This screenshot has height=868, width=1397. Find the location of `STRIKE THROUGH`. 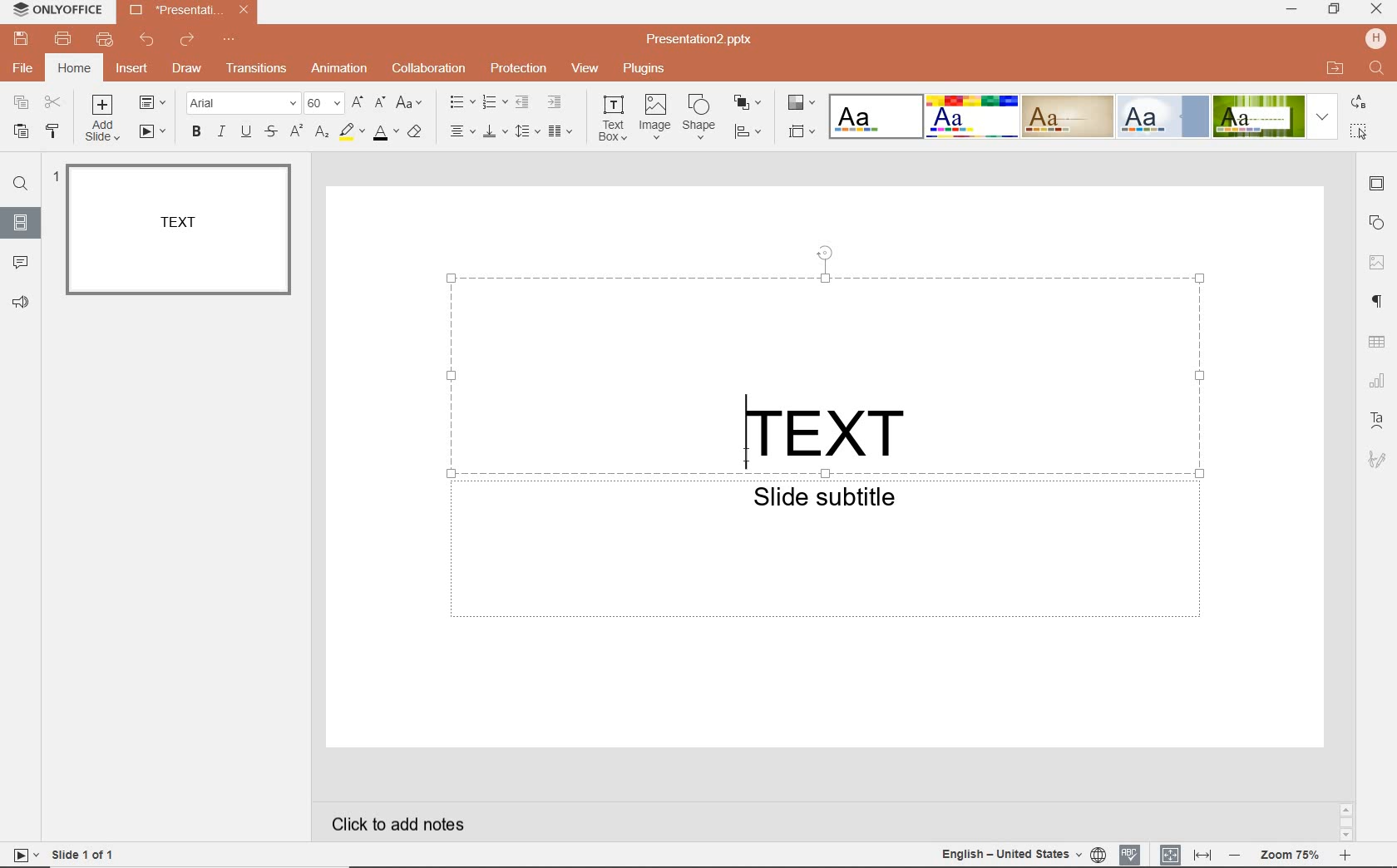

STRIKE THROUGH is located at coordinates (274, 131).